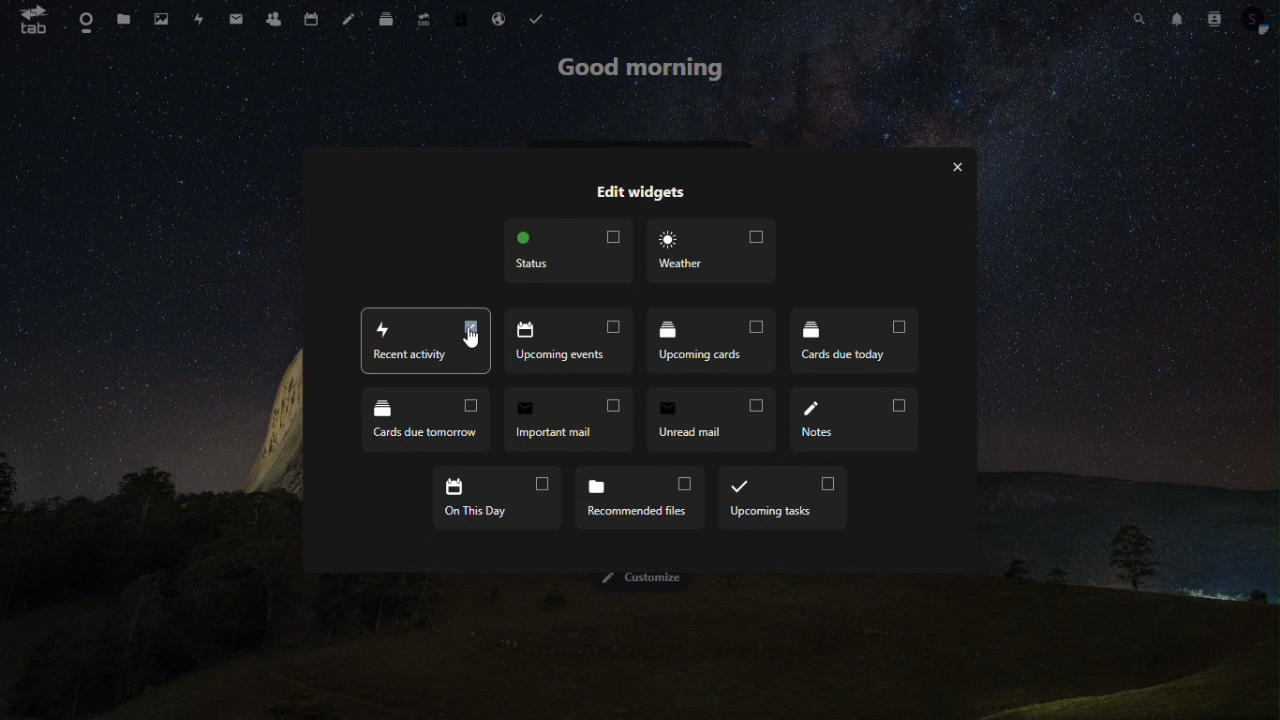 This screenshot has width=1280, height=720. Describe the element at coordinates (644, 67) in the screenshot. I see `good morning` at that location.